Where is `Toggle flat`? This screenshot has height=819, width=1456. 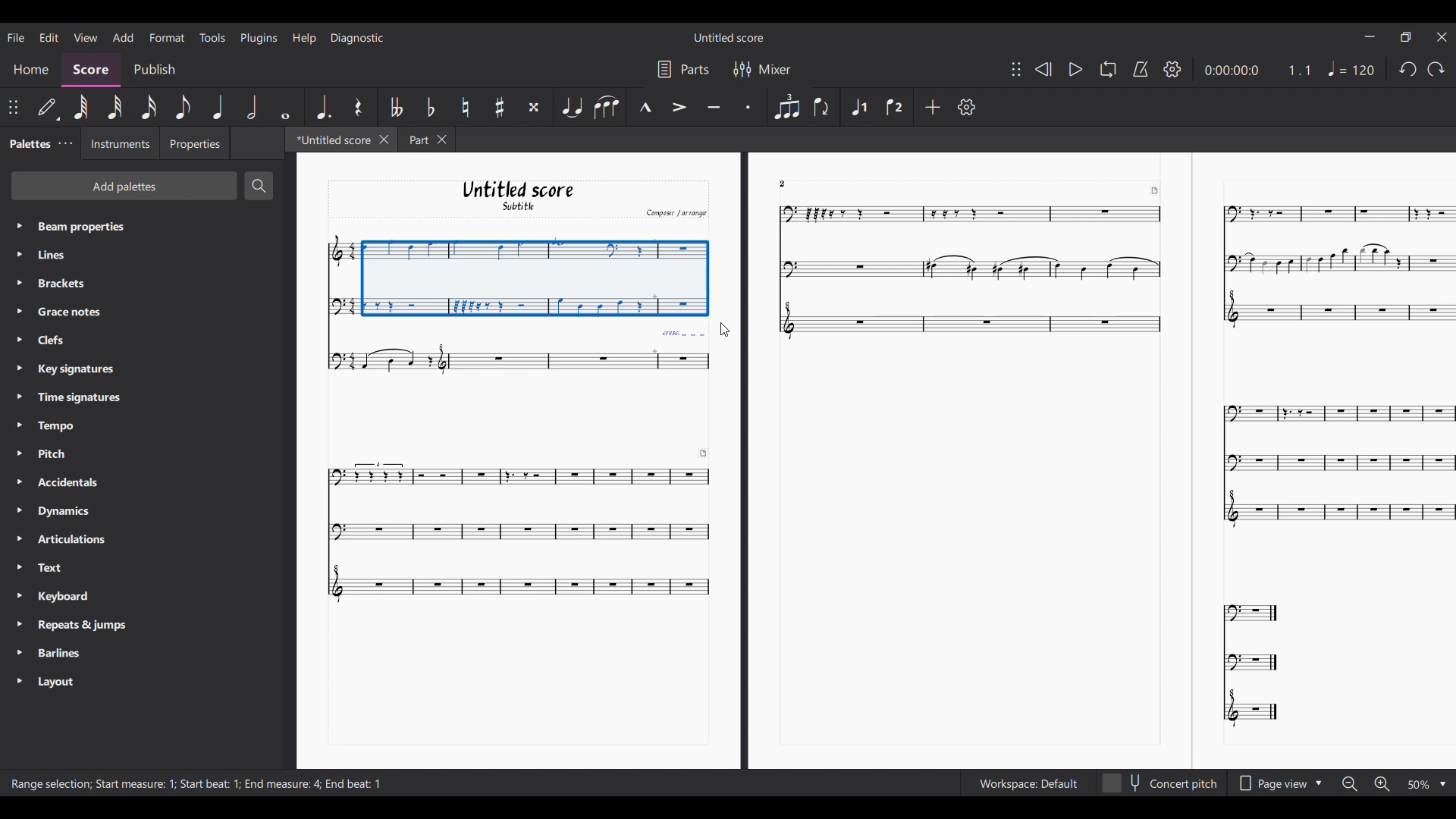 Toggle flat is located at coordinates (430, 107).